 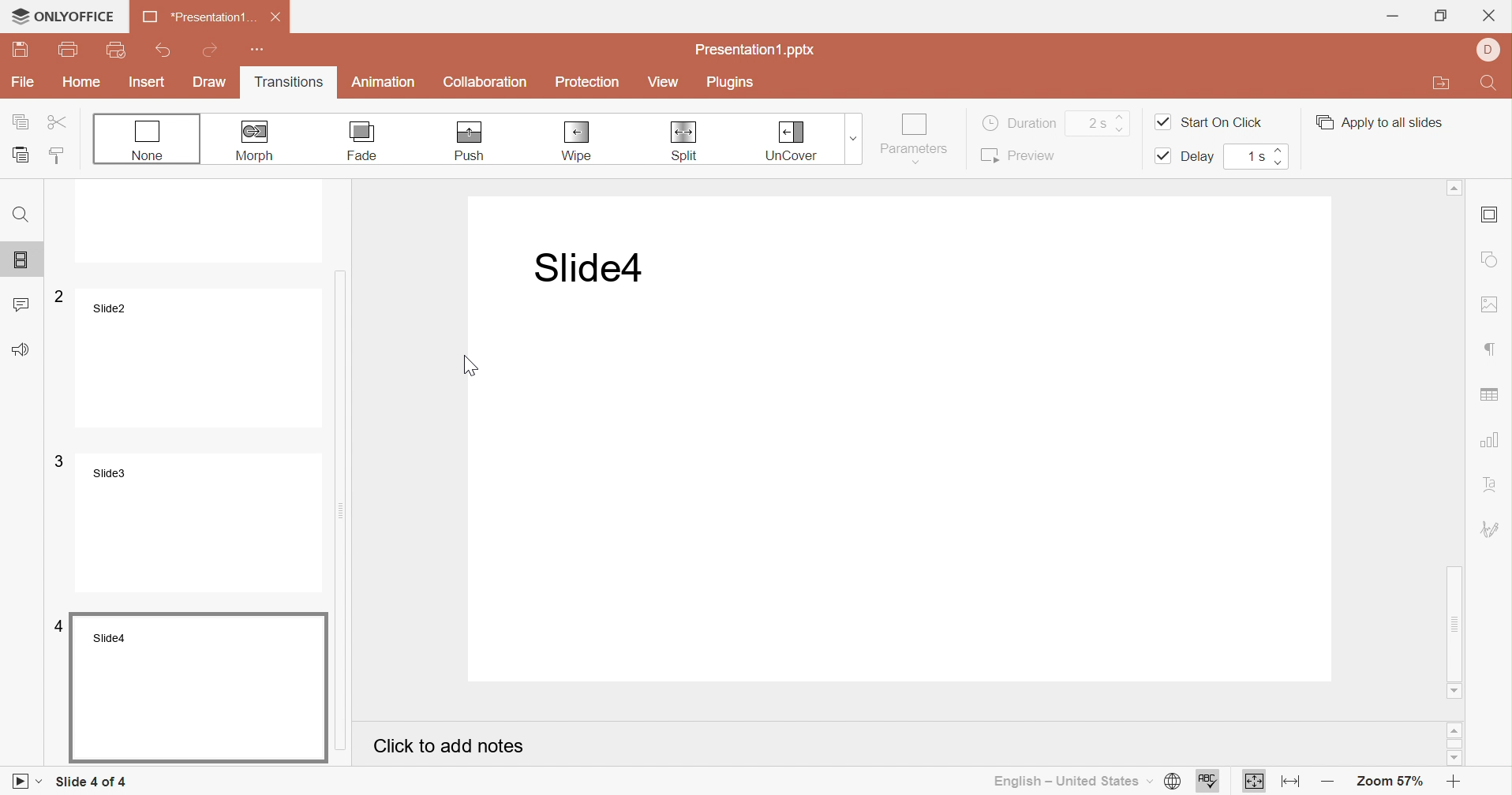 I want to click on Parameters, so click(x=914, y=139).